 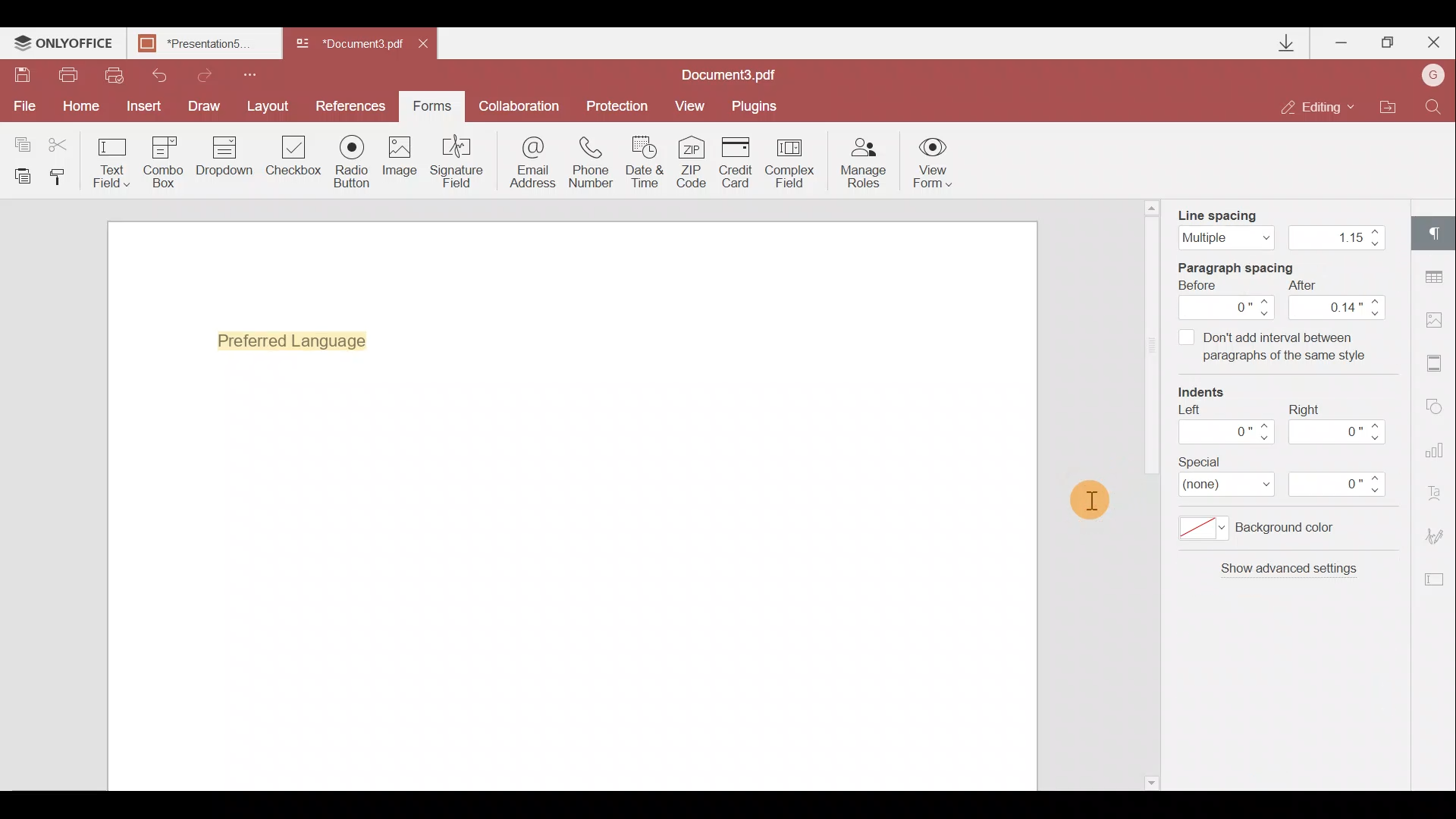 I want to click on Radio button, so click(x=352, y=161).